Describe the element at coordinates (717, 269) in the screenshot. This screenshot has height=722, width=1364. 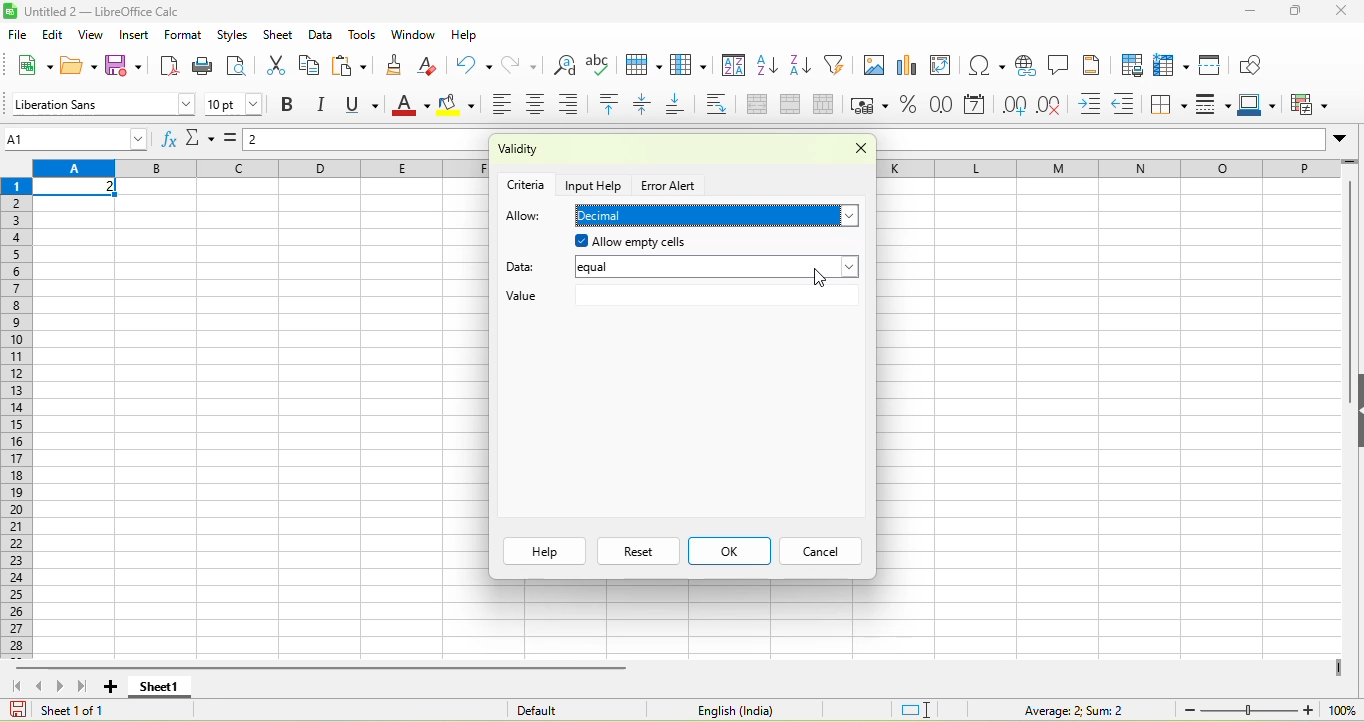
I see `equal` at that location.